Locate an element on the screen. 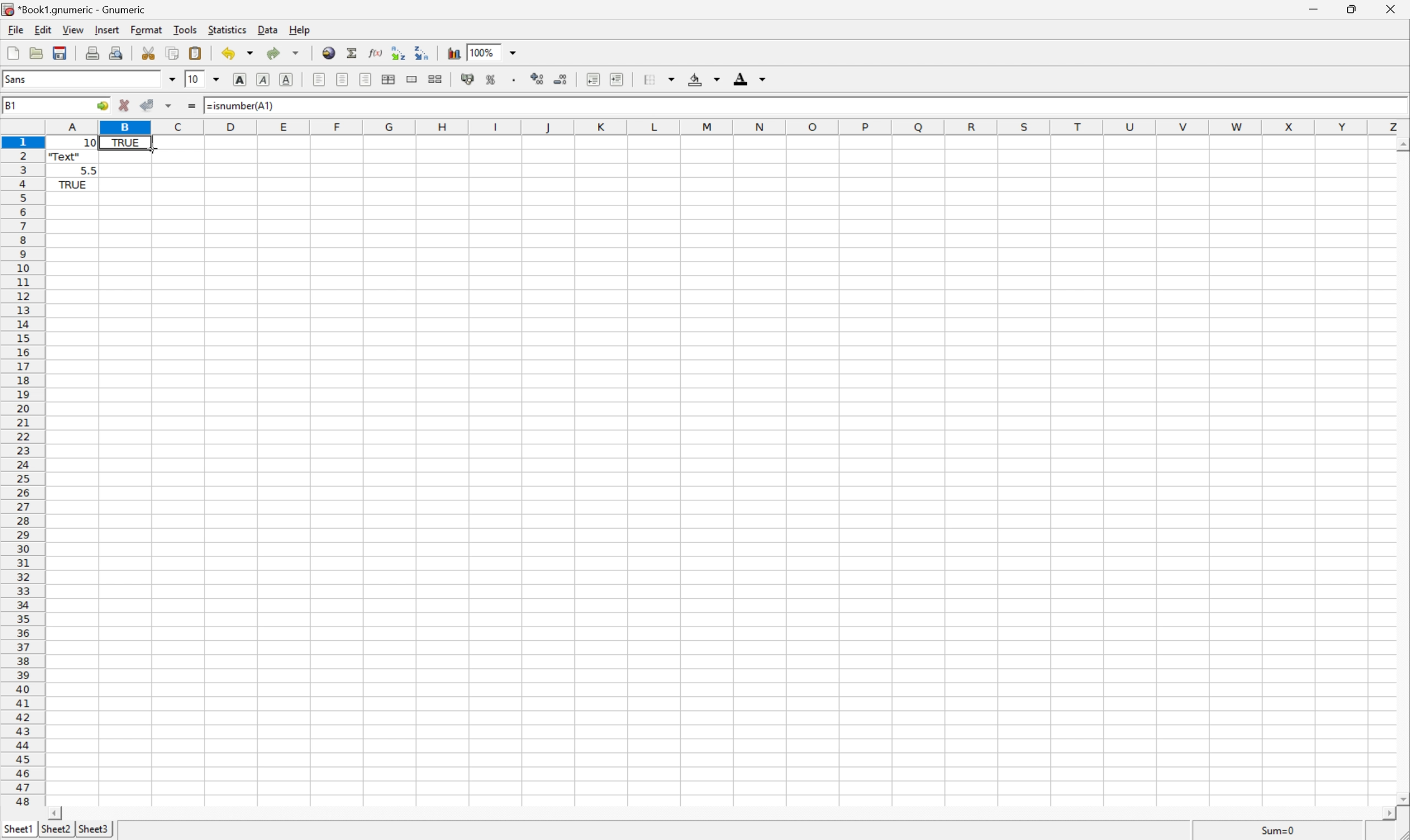 The height and width of the screenshot is (840, 1410). Sheet1 is located at coordinates (17, 830).